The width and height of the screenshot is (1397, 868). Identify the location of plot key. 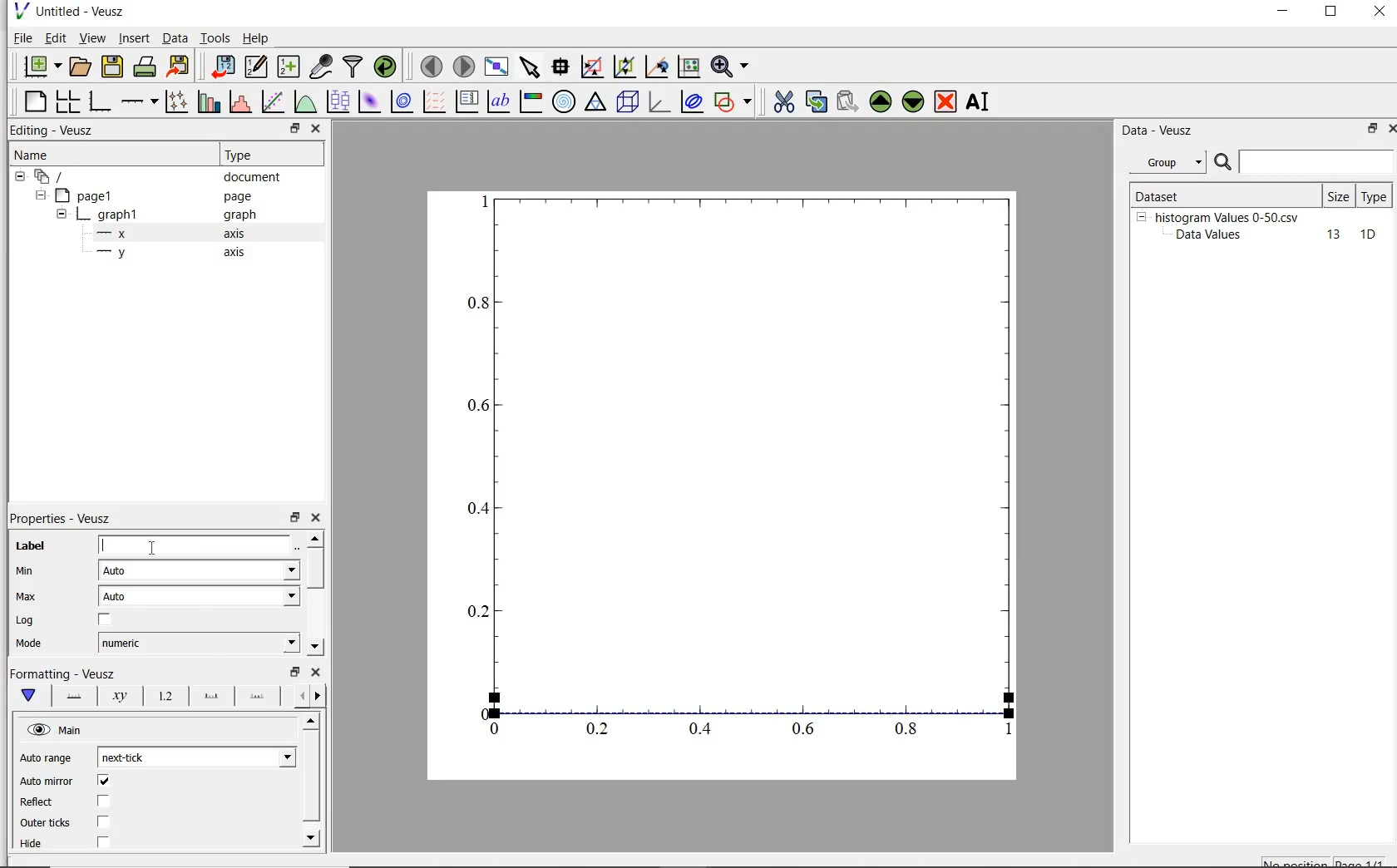
(466, 101).